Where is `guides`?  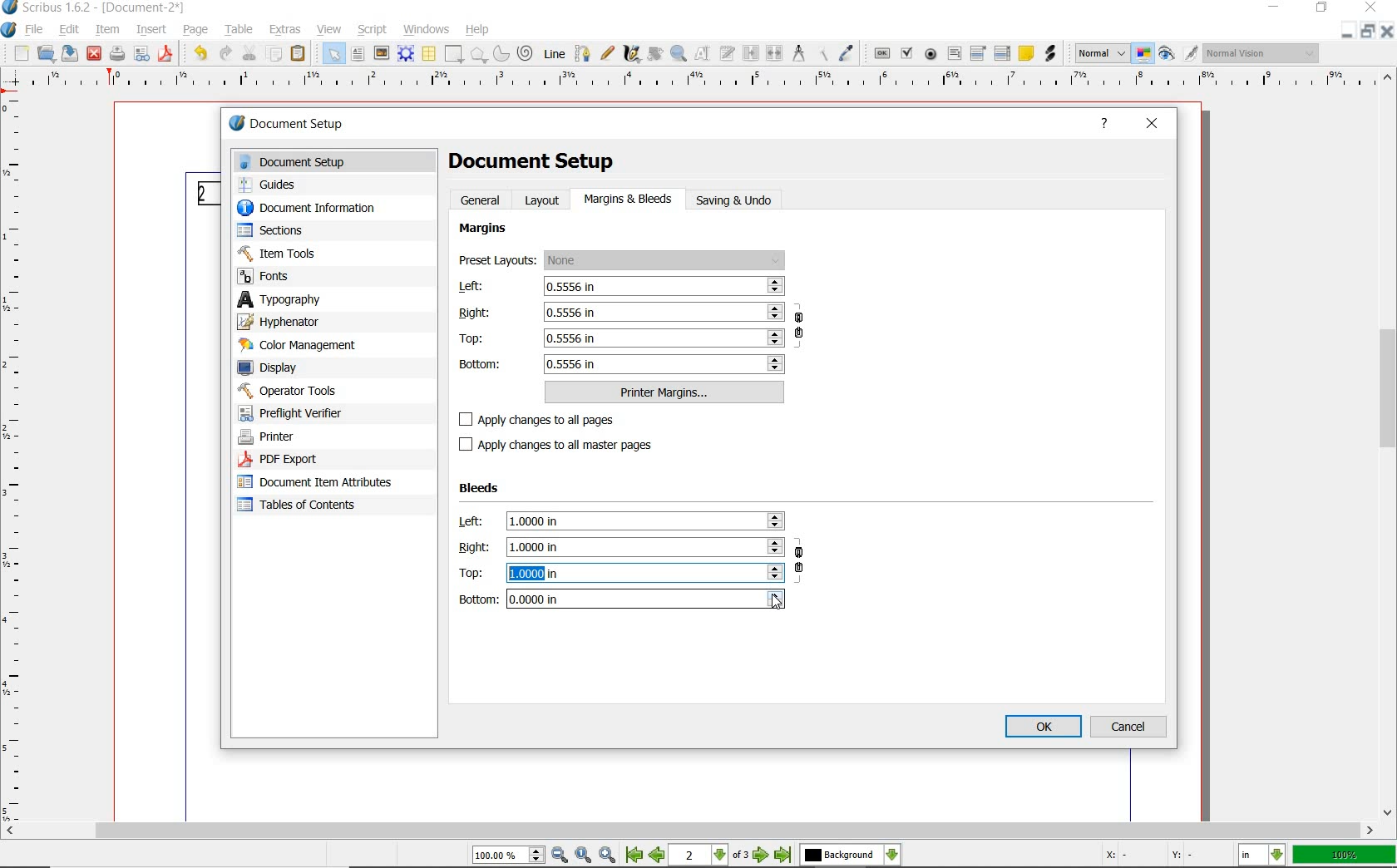
guides is located at coordinates (274, 186).